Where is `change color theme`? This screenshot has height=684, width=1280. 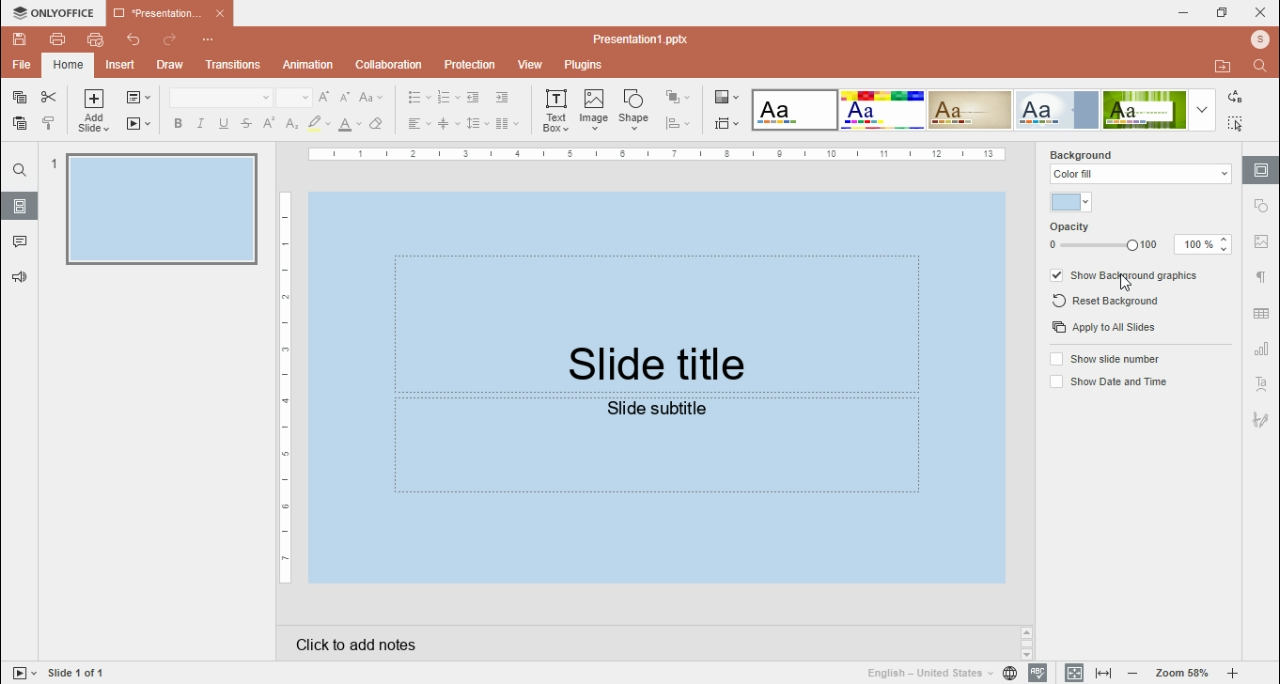
change color theme is located at coordinates (726, 97).